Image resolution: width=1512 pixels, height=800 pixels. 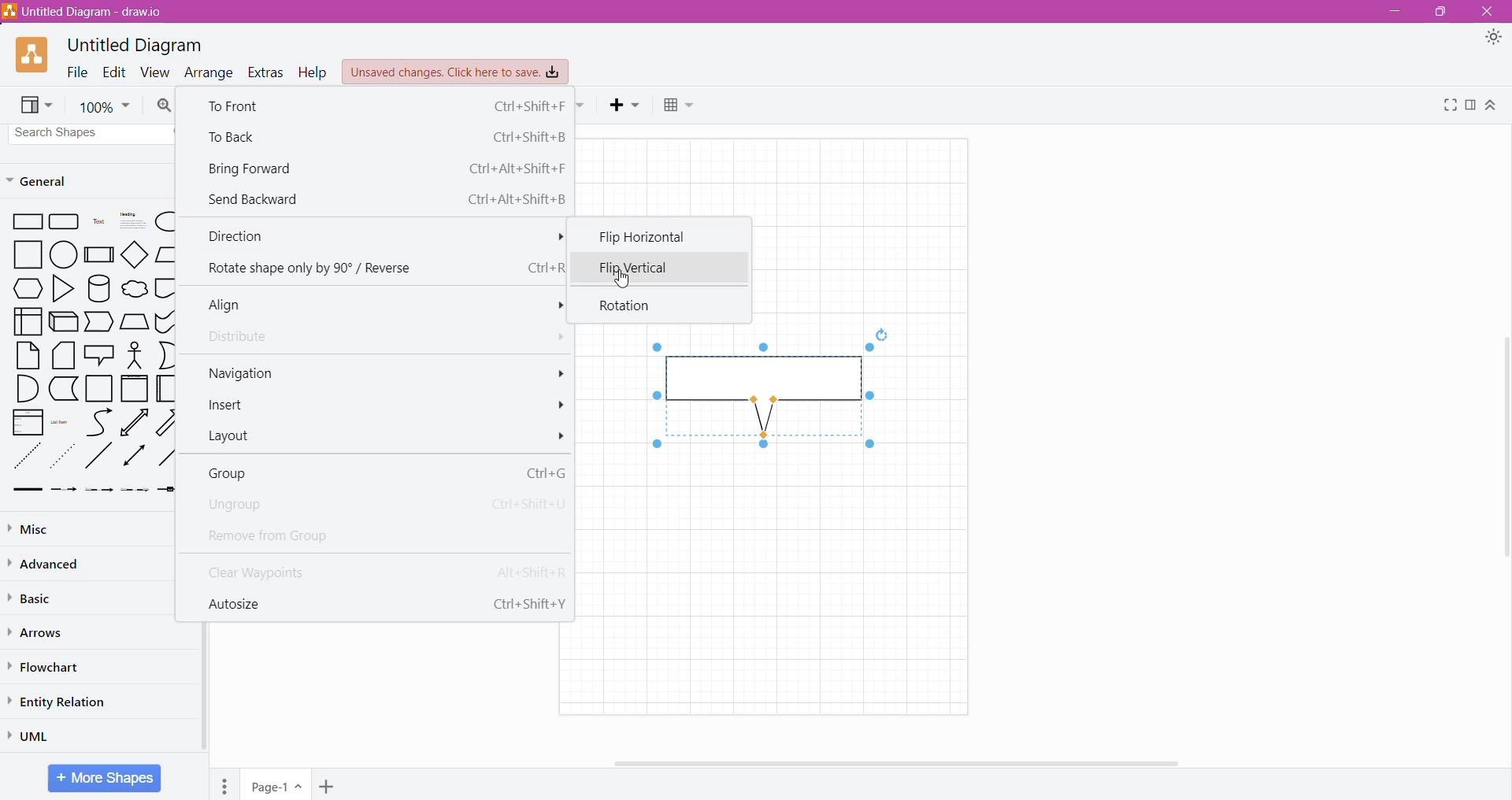 I want to click on more, so click(x=554, y=372).